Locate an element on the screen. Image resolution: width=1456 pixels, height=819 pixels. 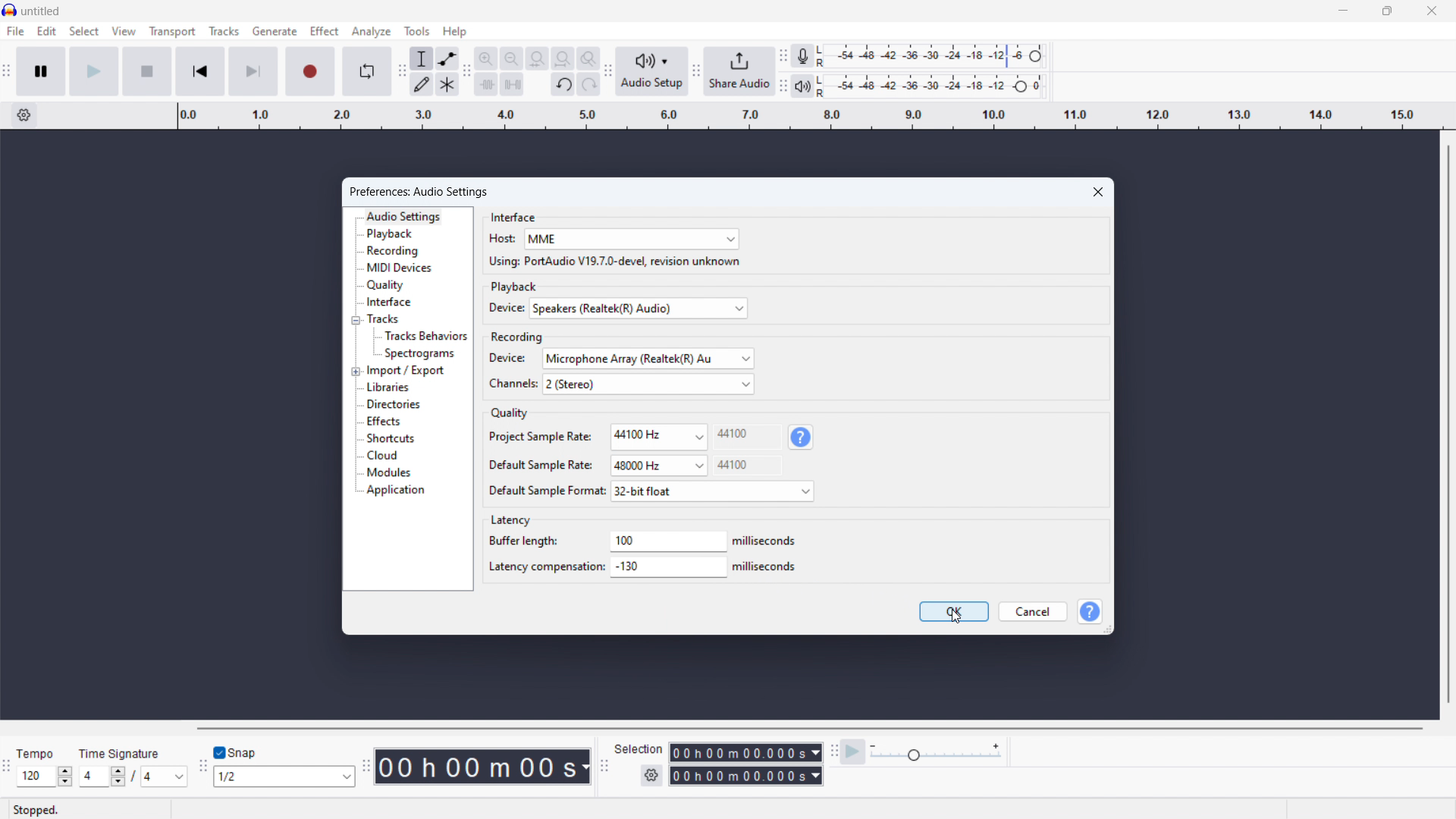
close is located at coordinates (1432, 10).